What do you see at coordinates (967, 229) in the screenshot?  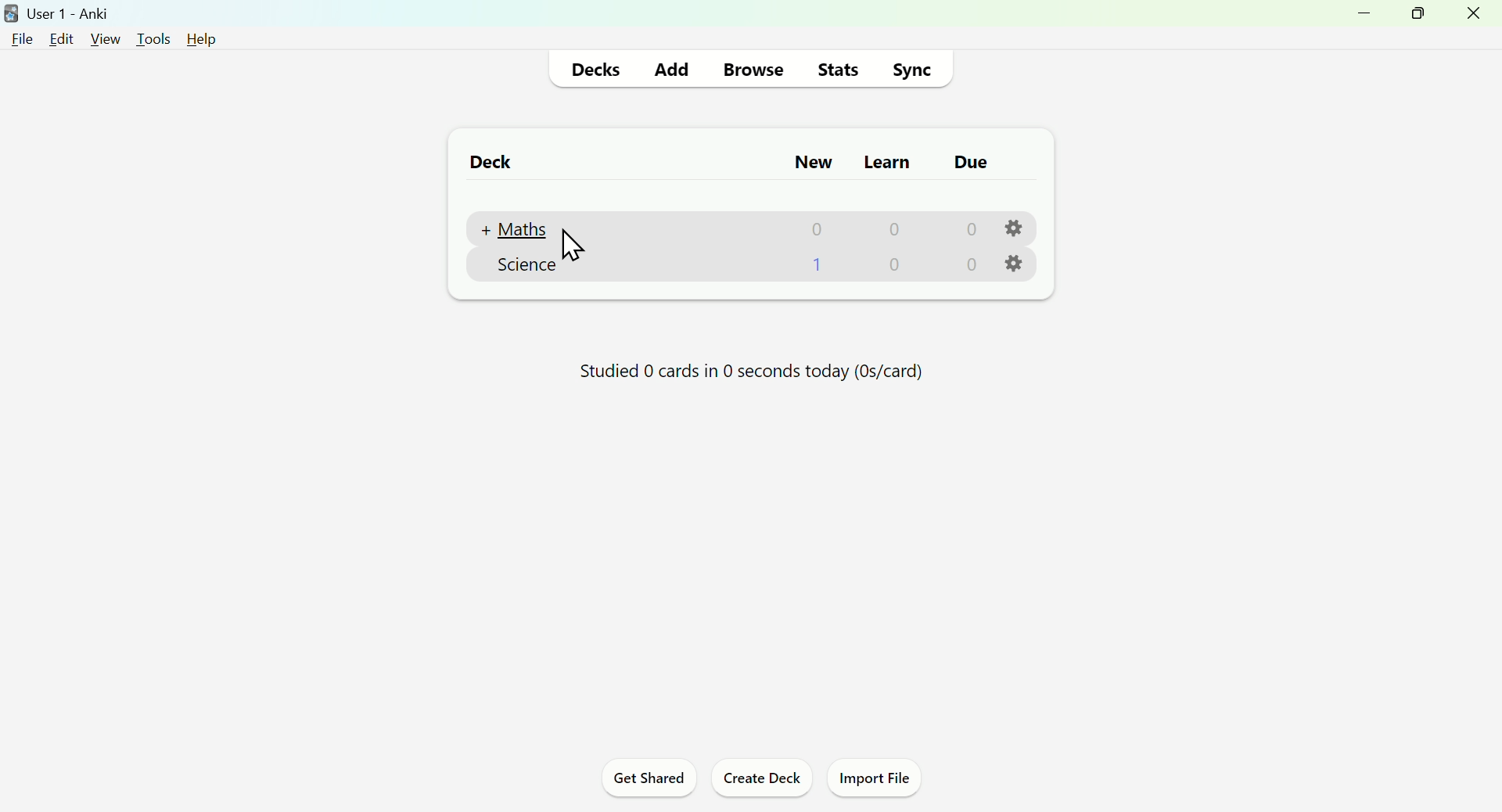 I see `0` at bounding box center [967, 229].